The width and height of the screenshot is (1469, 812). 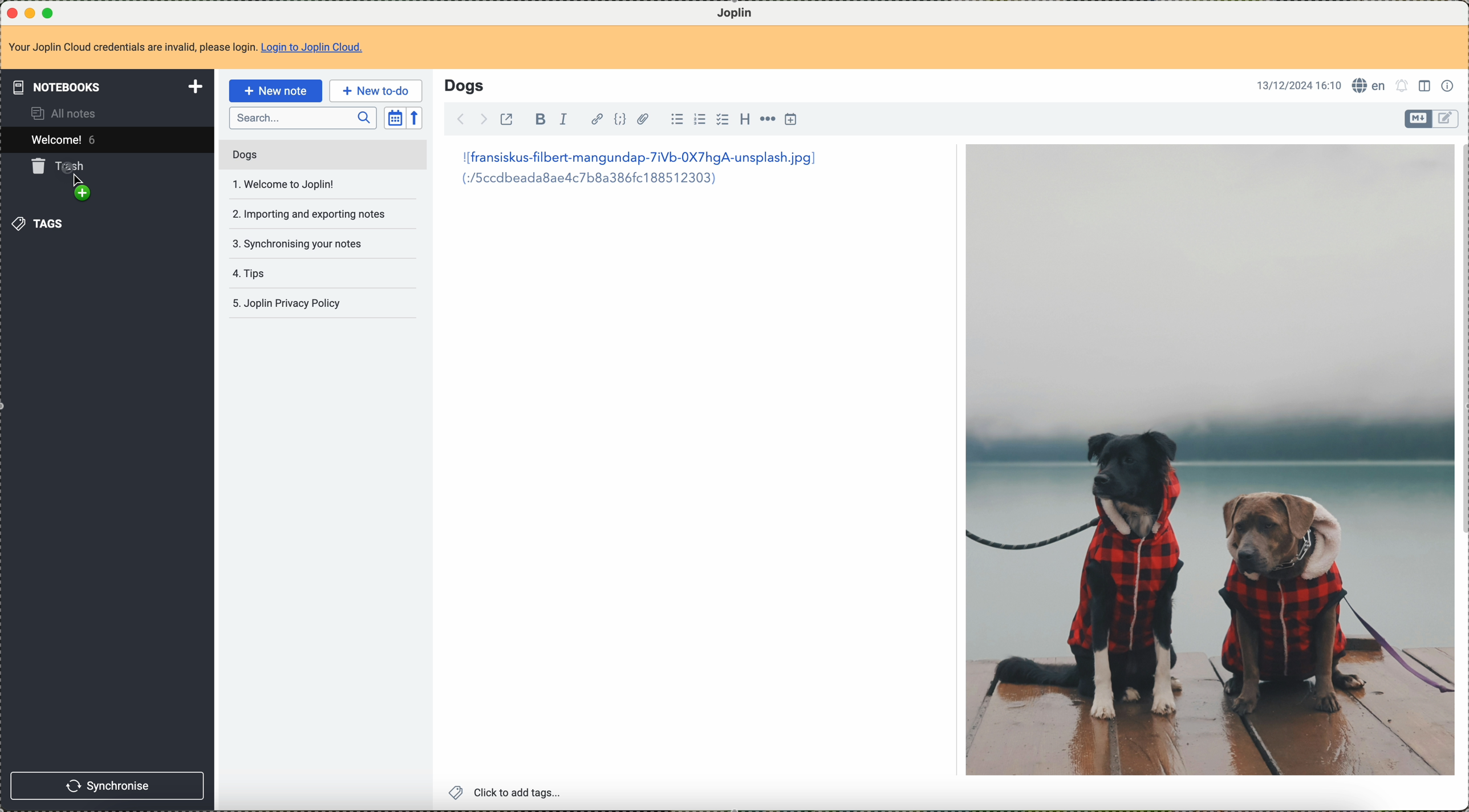 I want to click on click to add tags, so click(x=507, y=793).